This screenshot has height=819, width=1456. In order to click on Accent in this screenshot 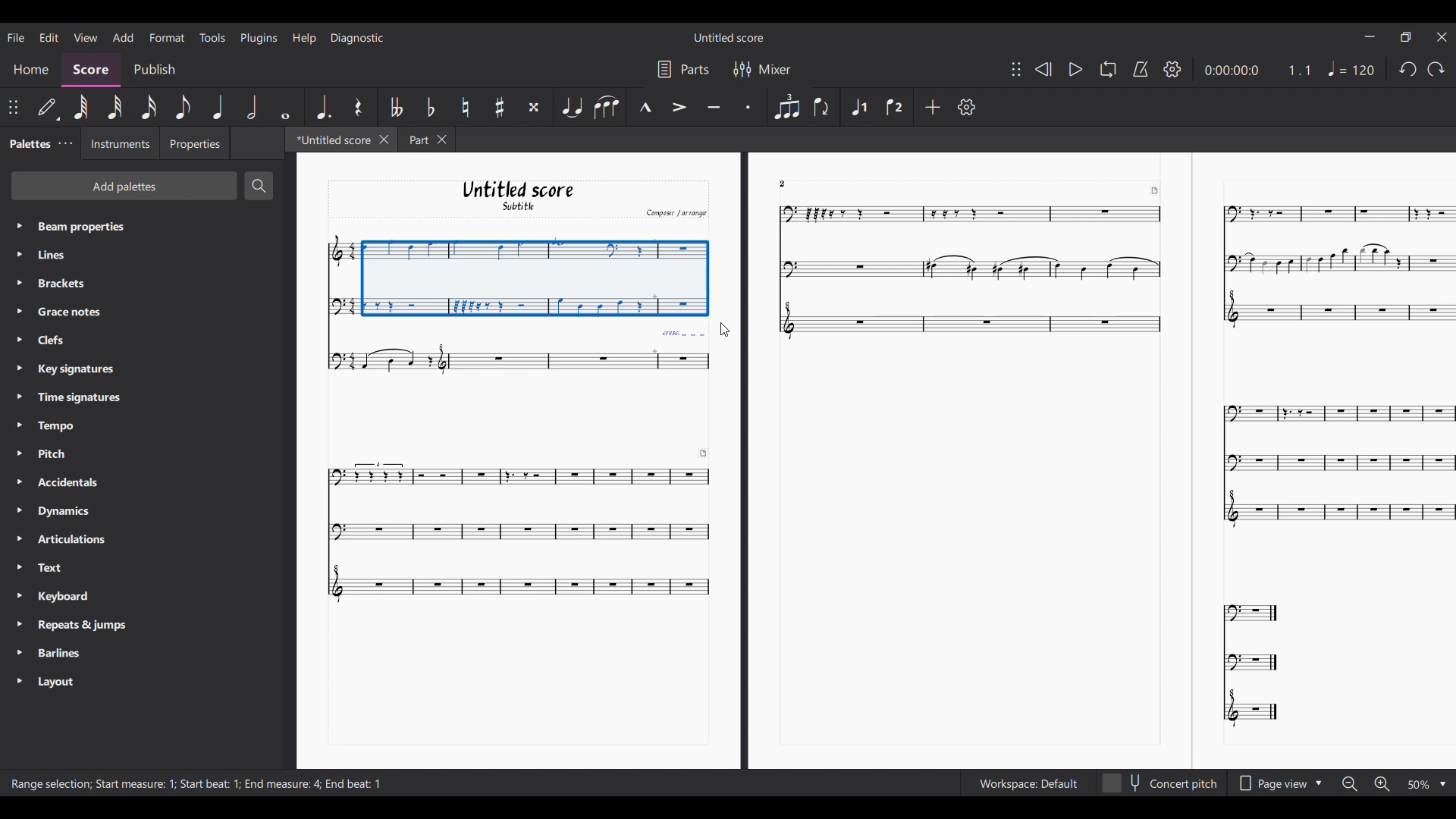, I will do `click(679, 107)`.